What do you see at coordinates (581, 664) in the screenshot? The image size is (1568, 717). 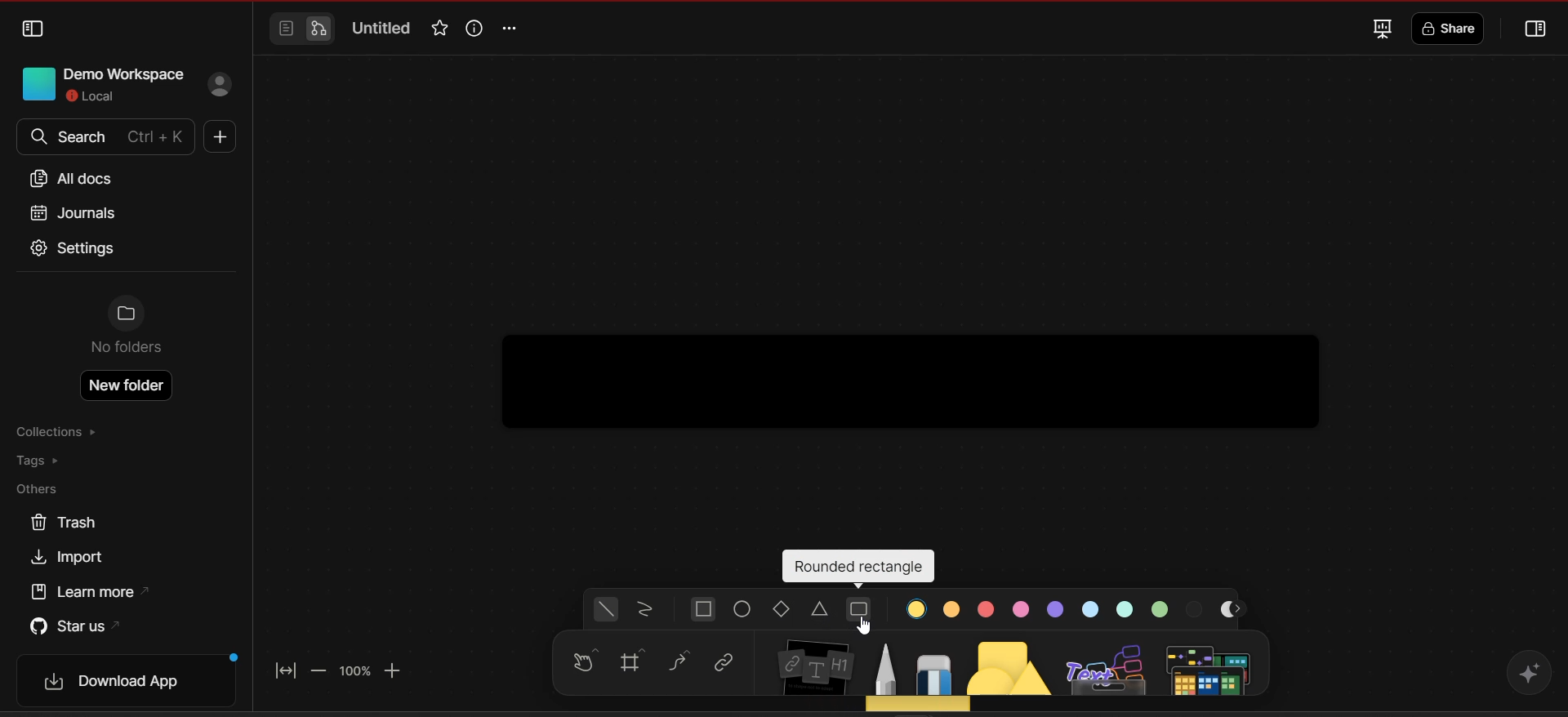 I see `hand` at bounding box center [581, 664].